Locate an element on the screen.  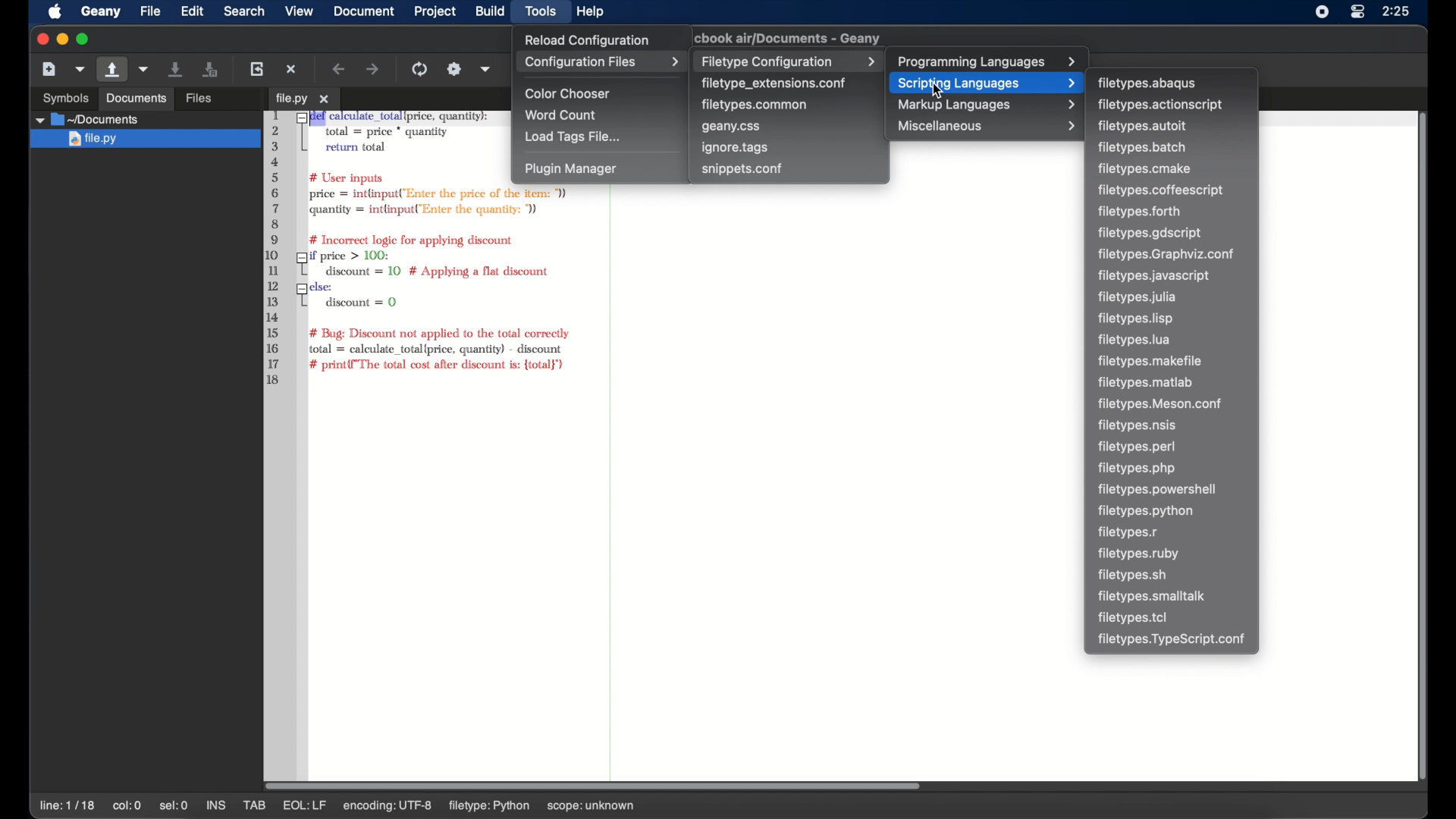
file.py highlighted is located at coordinates (143, 140).